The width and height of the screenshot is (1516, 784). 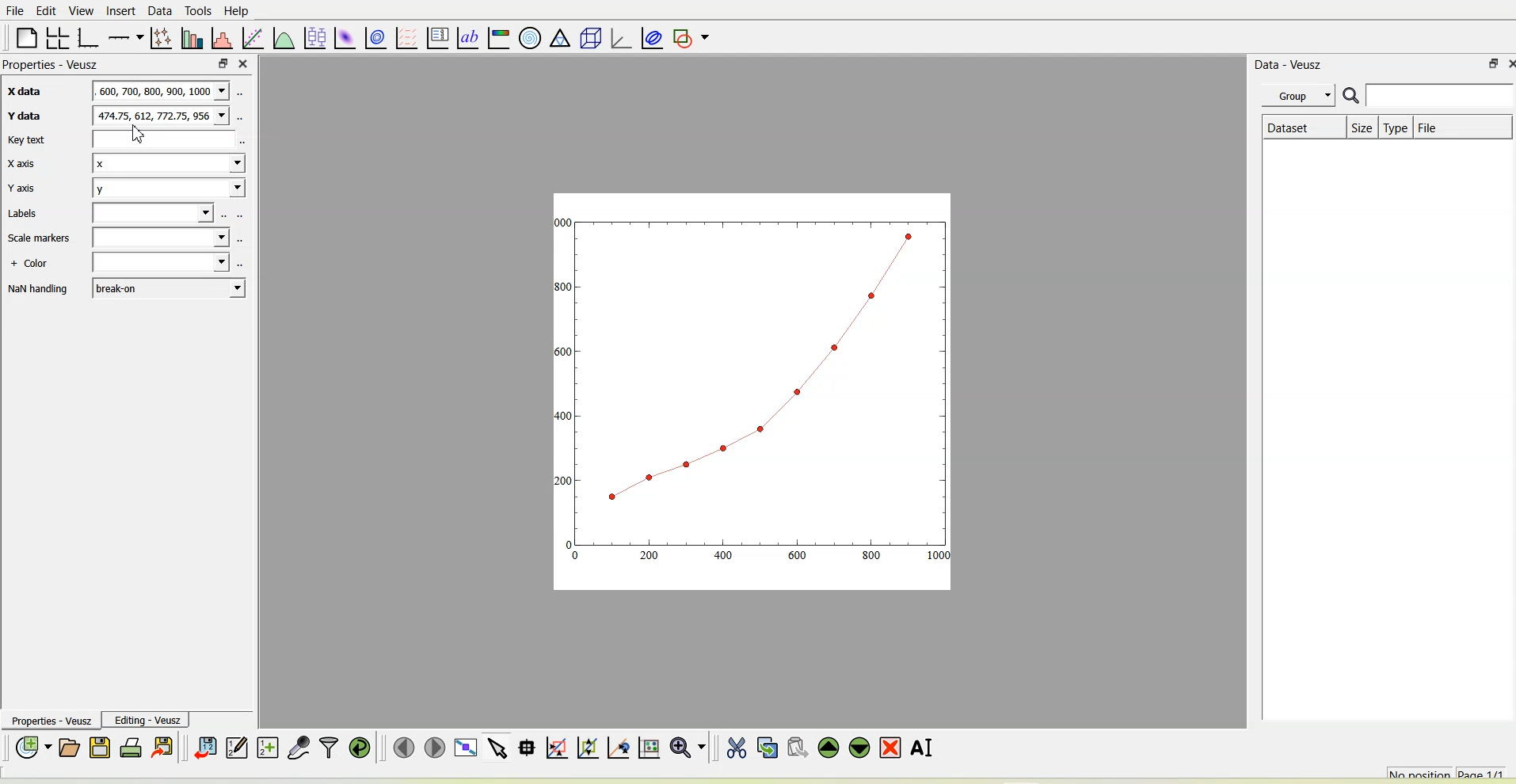 What do you see at coordinates (162, 261) in the screenshot?
I see `Blank` at bounding box center [162, 261].